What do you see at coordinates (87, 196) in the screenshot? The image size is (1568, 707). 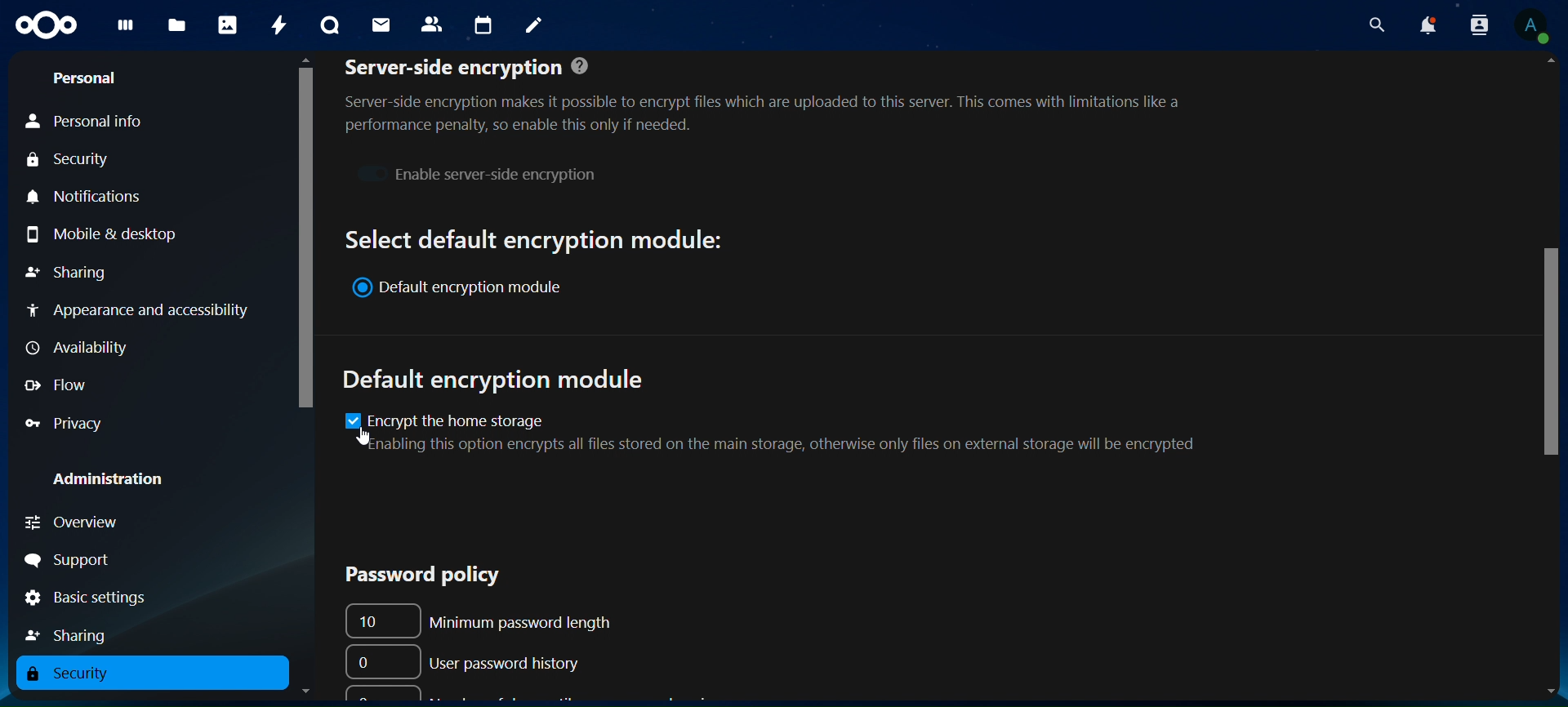 I see `notifications` at bounding box center [87, 196].